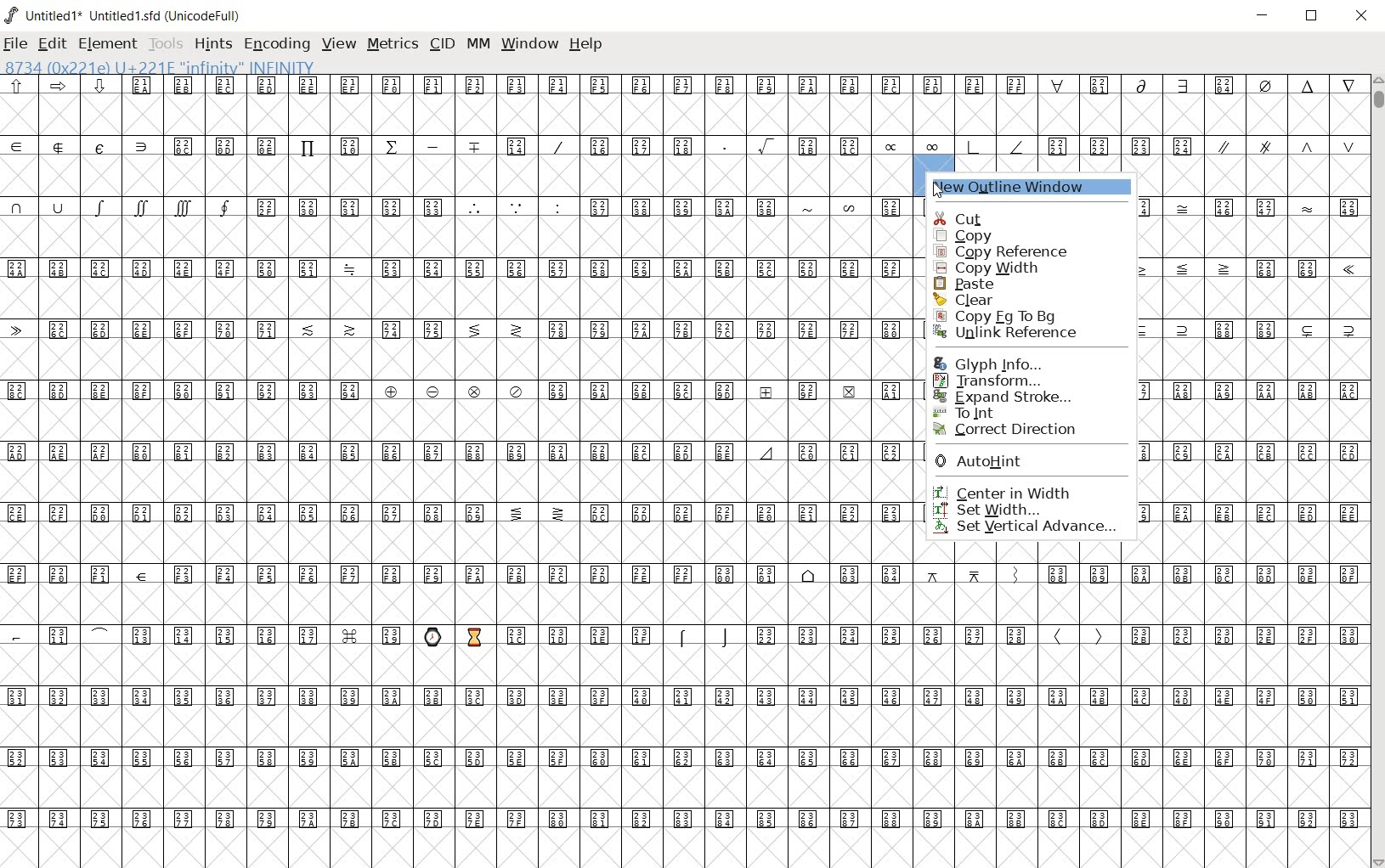 The height and width of the screenshot is (868, 1385). Describe the element at coordinates (1354, 206) in the screenshot. I see `small letters a b` at that location.